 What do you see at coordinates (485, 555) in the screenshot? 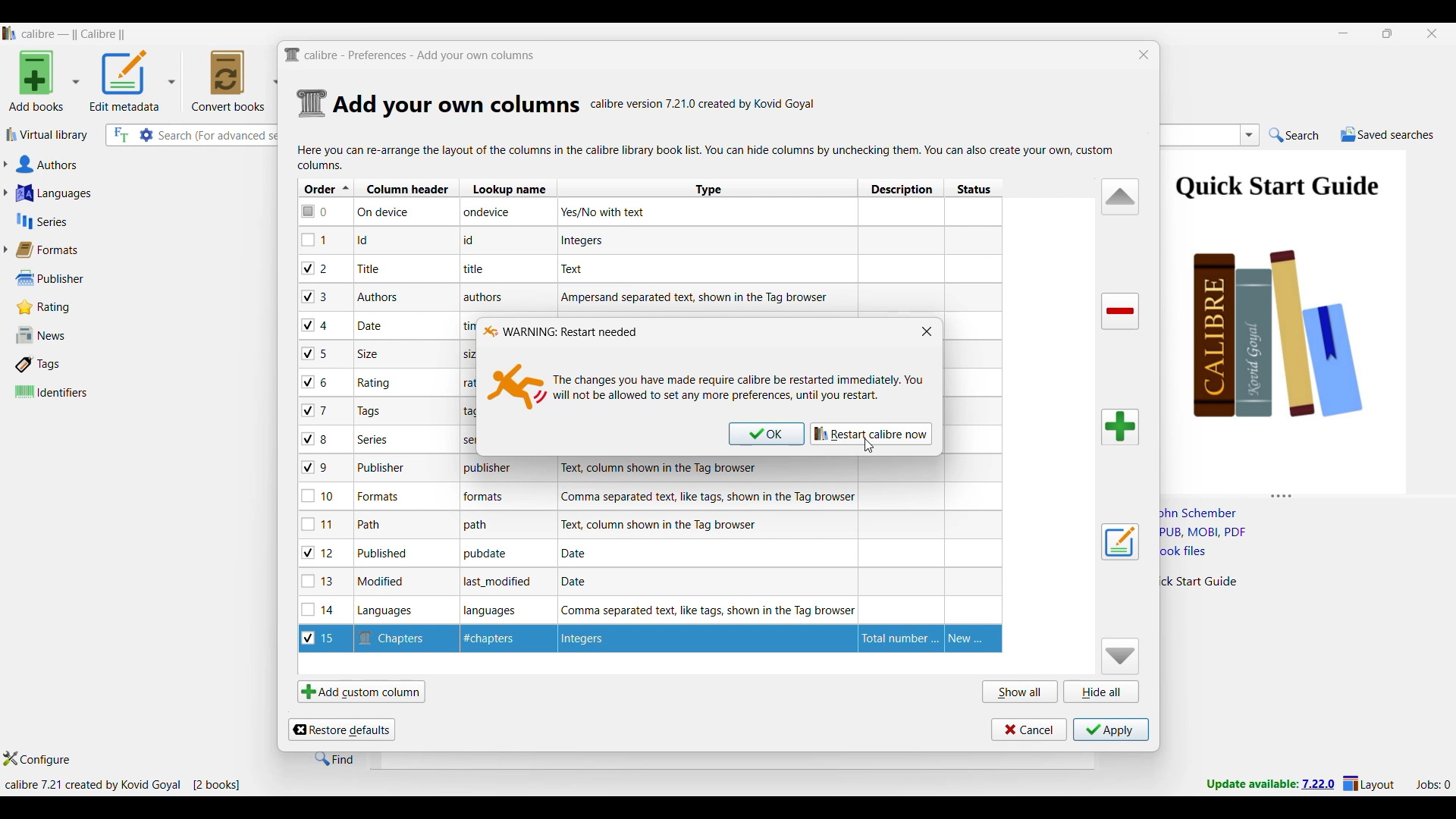
I see `note` at bounding box center [485, 555].